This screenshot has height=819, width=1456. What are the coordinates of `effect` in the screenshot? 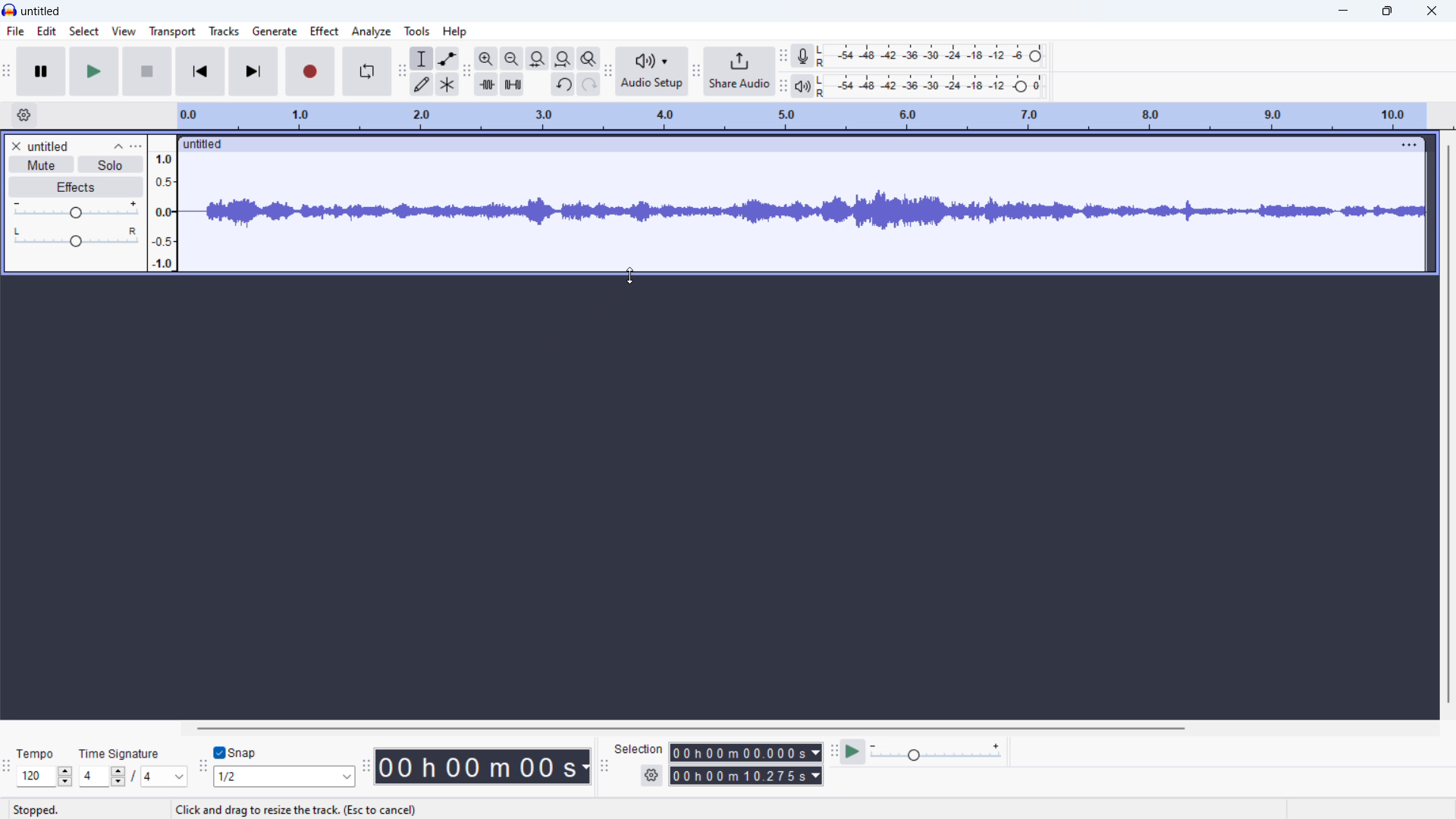 It's located at (323, 31).